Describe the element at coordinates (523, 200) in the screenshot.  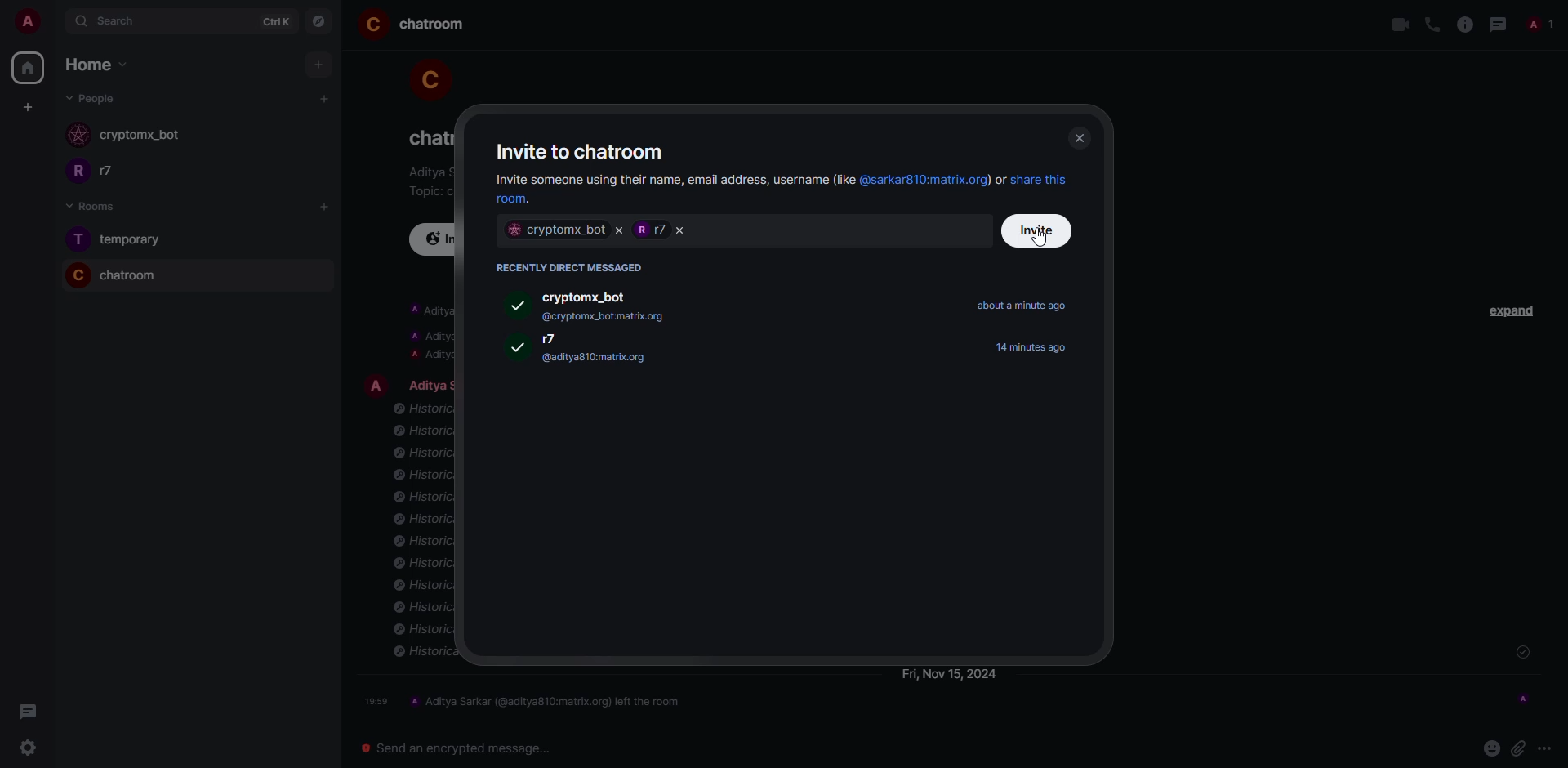
I see `hyperlink` at that location.